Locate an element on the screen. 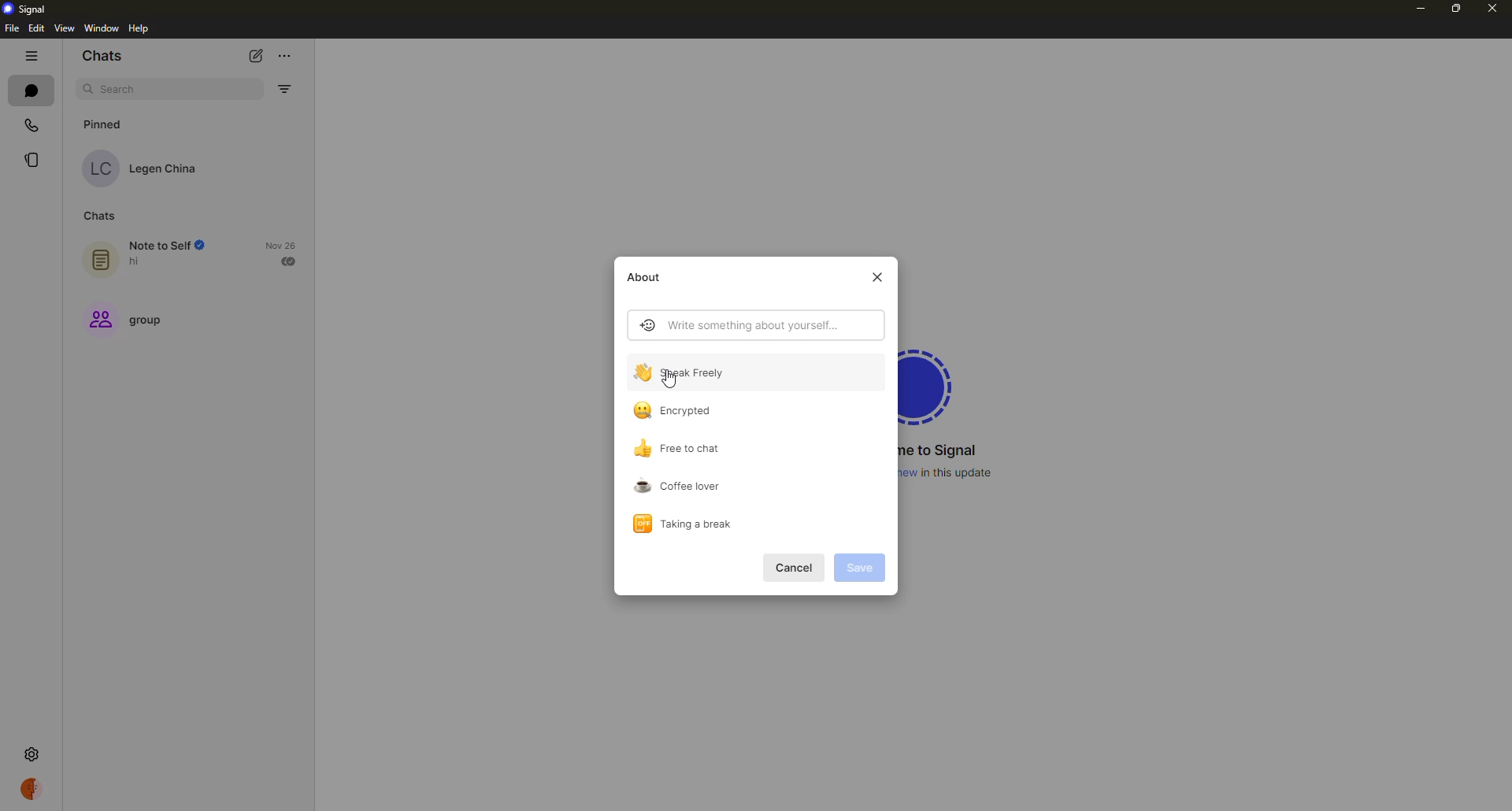 The image size is (1512, 811). minimize is located at coordinates (1415, 10).